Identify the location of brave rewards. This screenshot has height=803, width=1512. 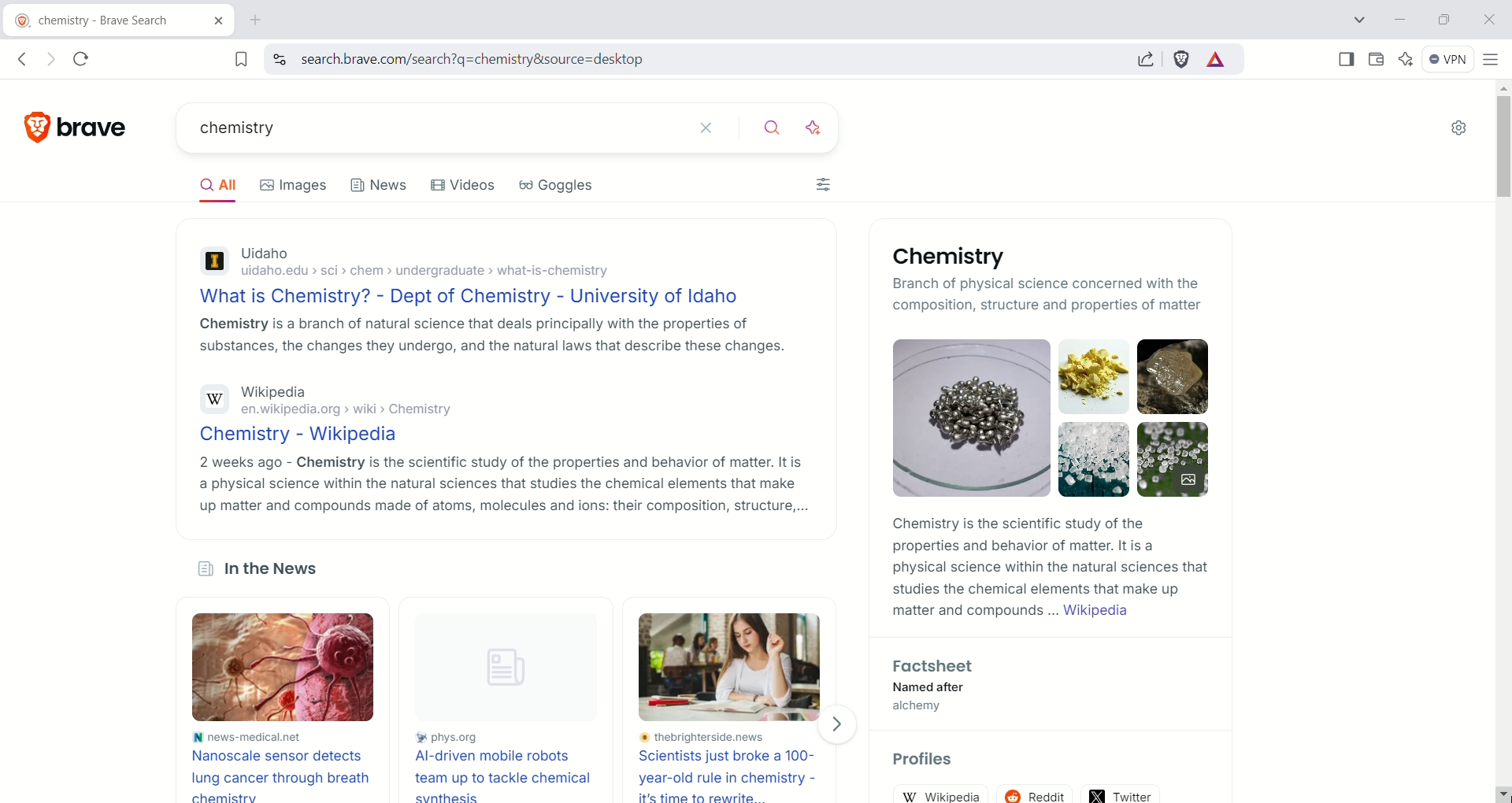
(1217, 61).